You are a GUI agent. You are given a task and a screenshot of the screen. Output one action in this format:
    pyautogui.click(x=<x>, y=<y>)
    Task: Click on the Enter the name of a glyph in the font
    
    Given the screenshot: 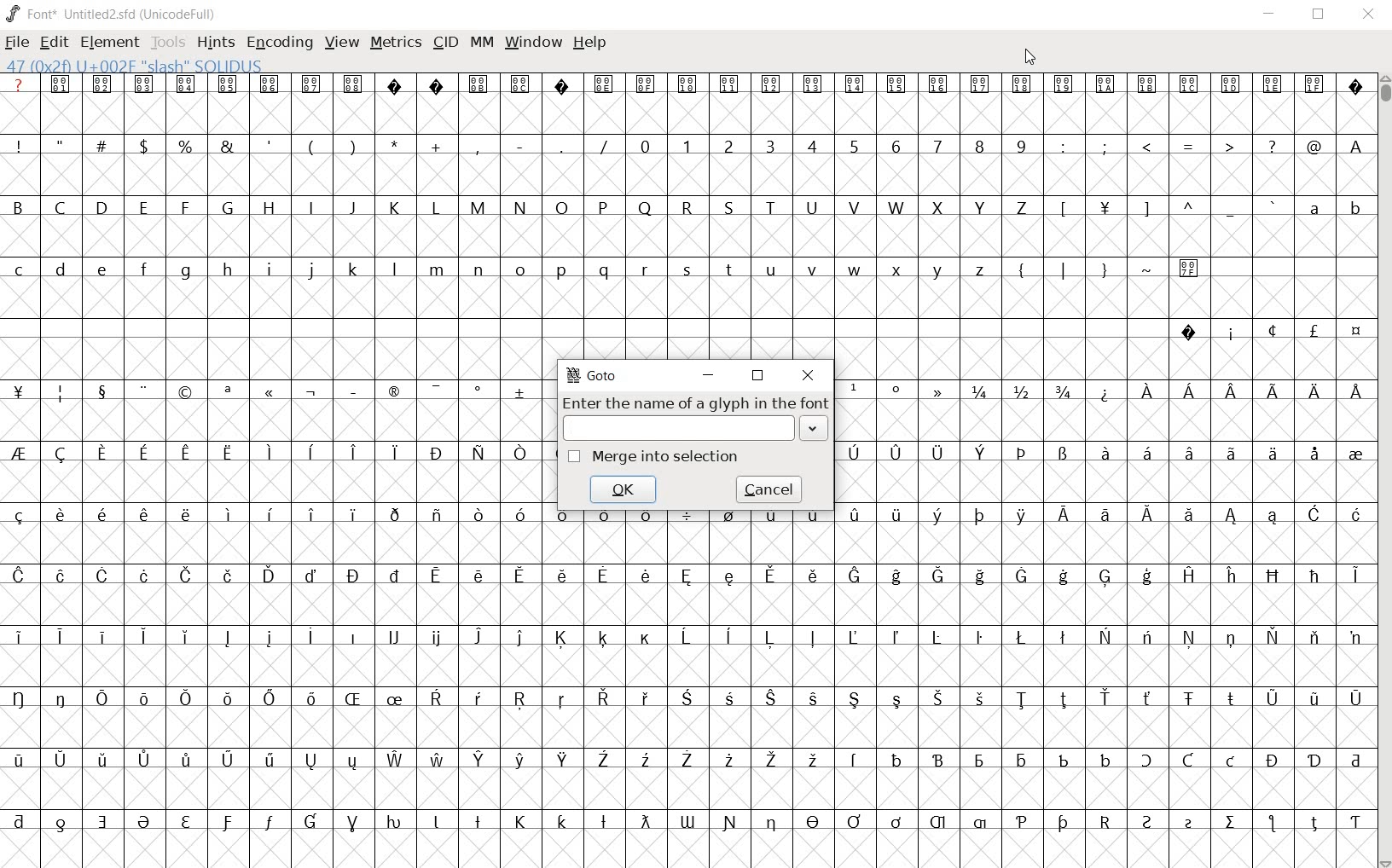 What is the action you would take?
    pyautogui.click(x=699, y=402)
    